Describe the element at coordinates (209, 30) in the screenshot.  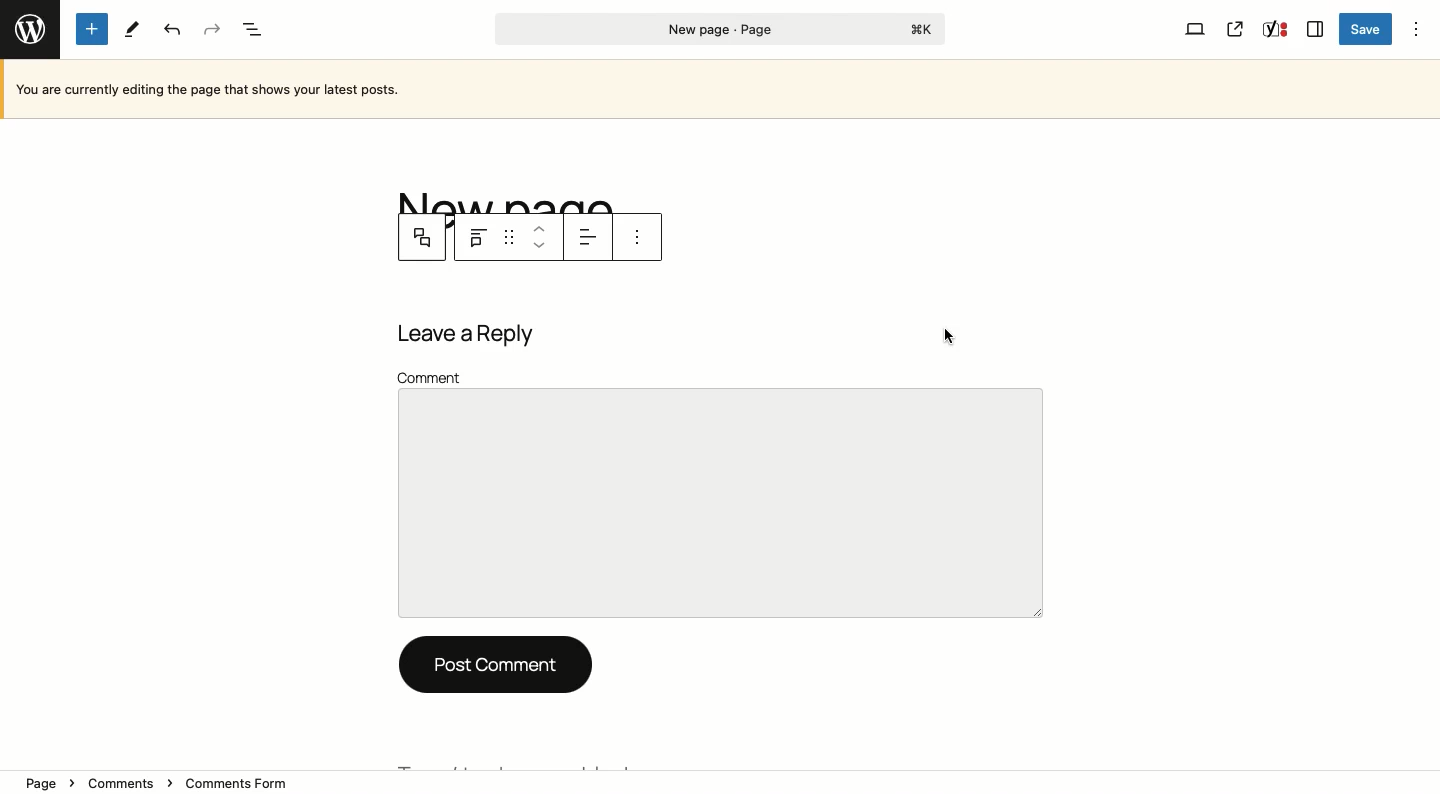
I see `Redo` at that location.